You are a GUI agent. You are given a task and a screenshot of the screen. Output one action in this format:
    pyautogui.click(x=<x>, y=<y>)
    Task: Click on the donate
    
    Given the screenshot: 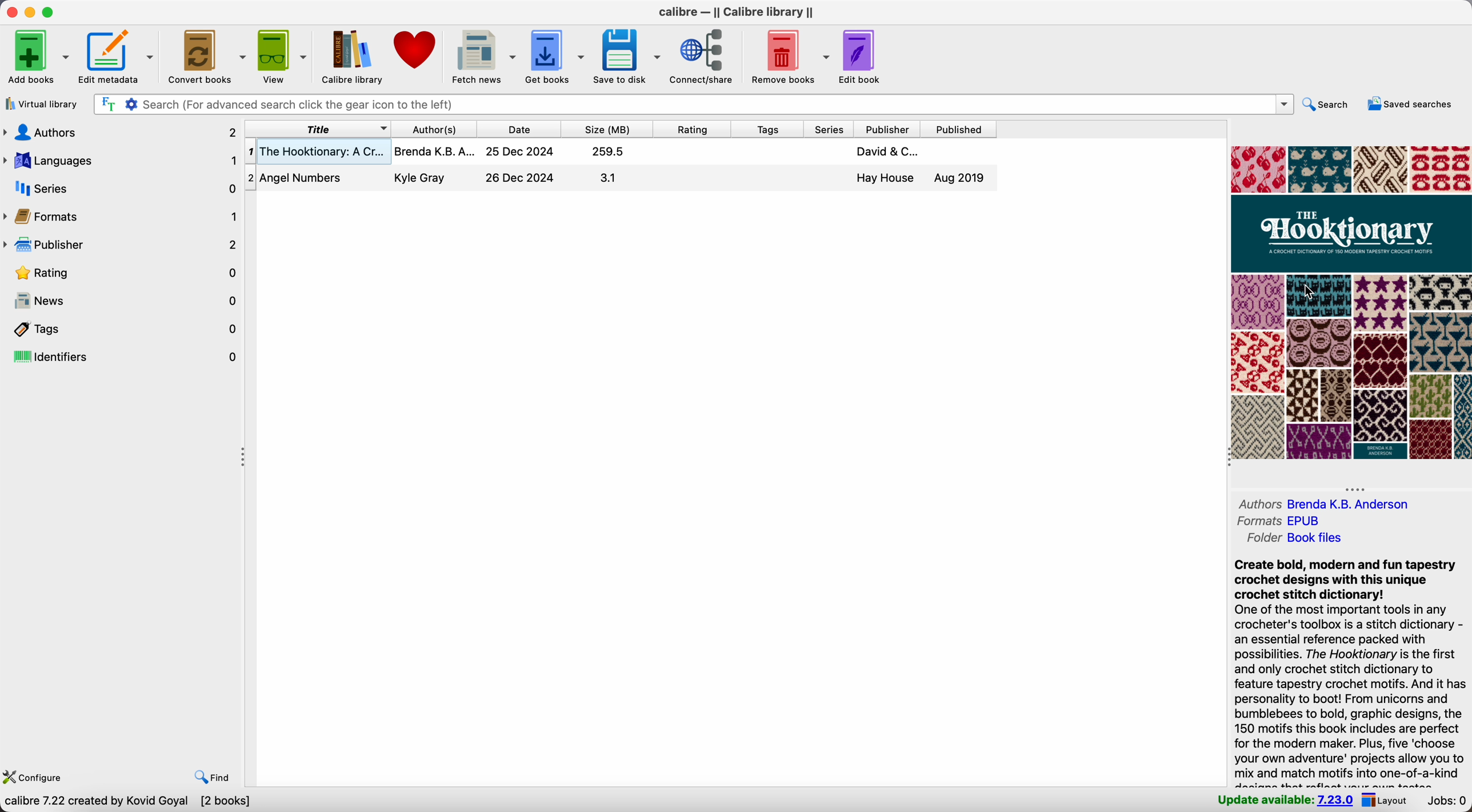 What is the action you would take?
    pyautogui.click(x=417, y=50)
    